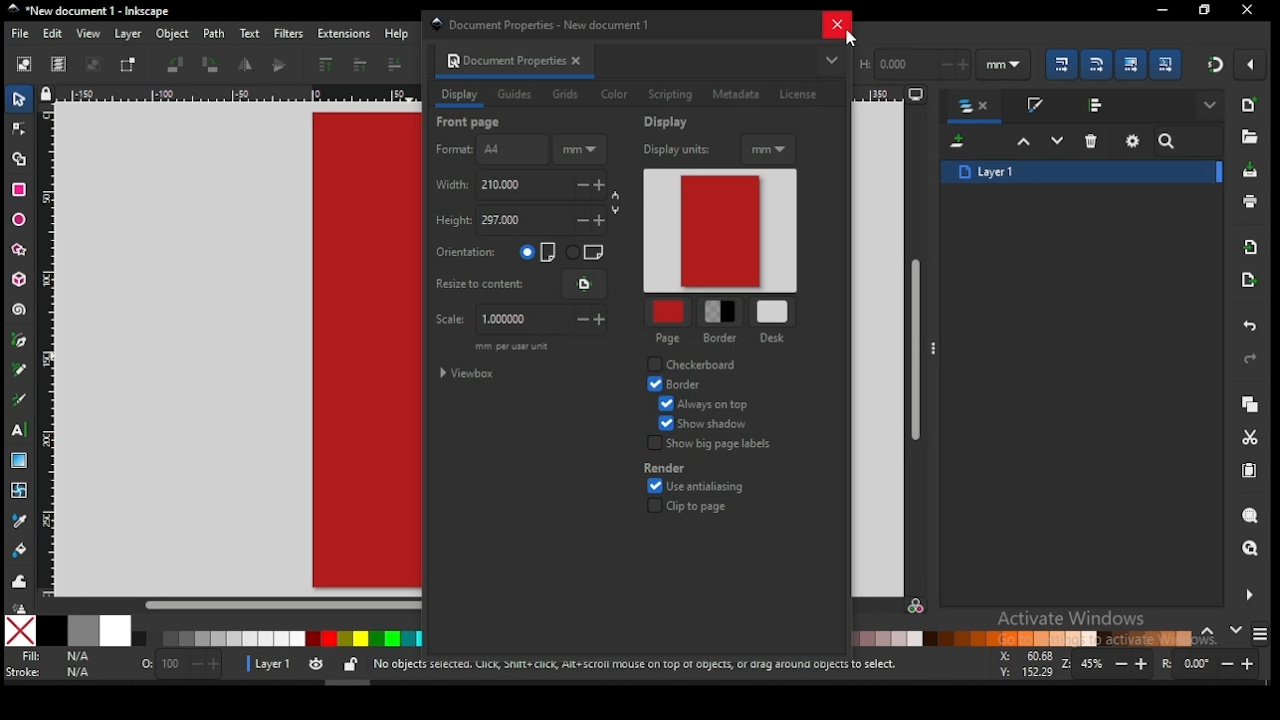  What do you see at coordinates (917, 348) in the screenshot?
I see `scroll bar` at bounding box center [917, 348].